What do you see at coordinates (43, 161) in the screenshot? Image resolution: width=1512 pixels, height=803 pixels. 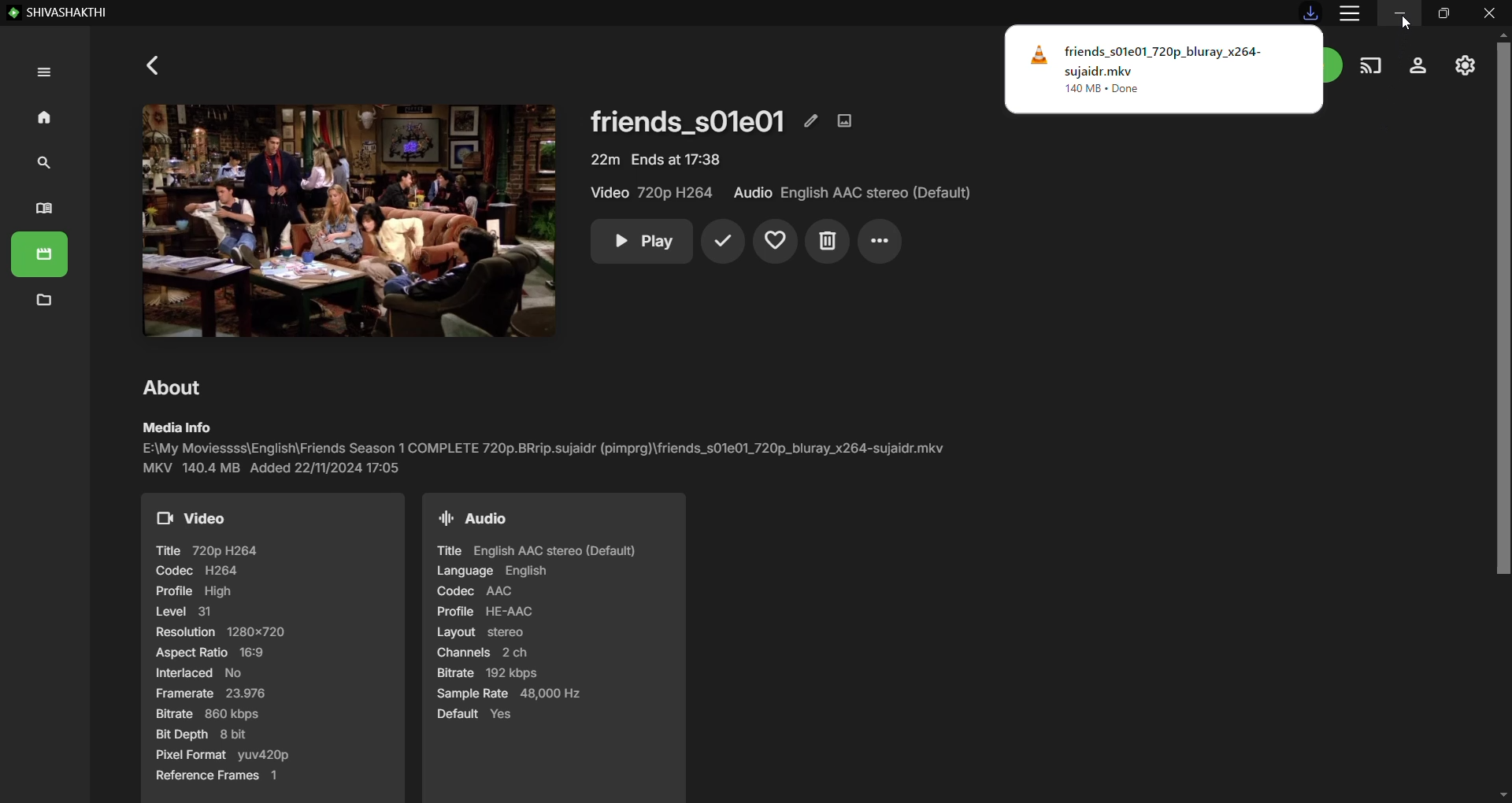 I see `` at bounding box center [43, 161].